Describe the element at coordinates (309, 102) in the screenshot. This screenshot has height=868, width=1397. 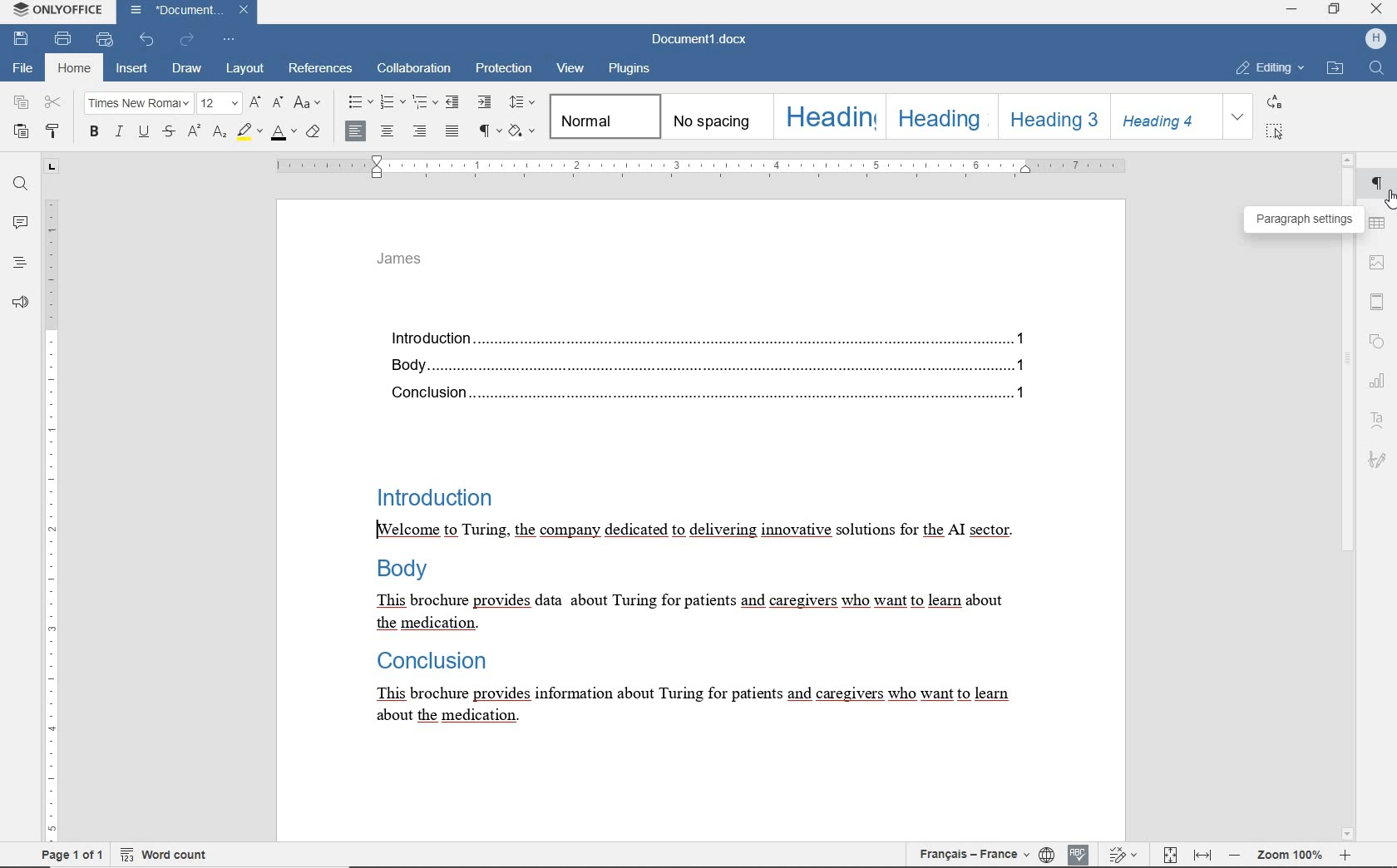
I see `change case` at that location.